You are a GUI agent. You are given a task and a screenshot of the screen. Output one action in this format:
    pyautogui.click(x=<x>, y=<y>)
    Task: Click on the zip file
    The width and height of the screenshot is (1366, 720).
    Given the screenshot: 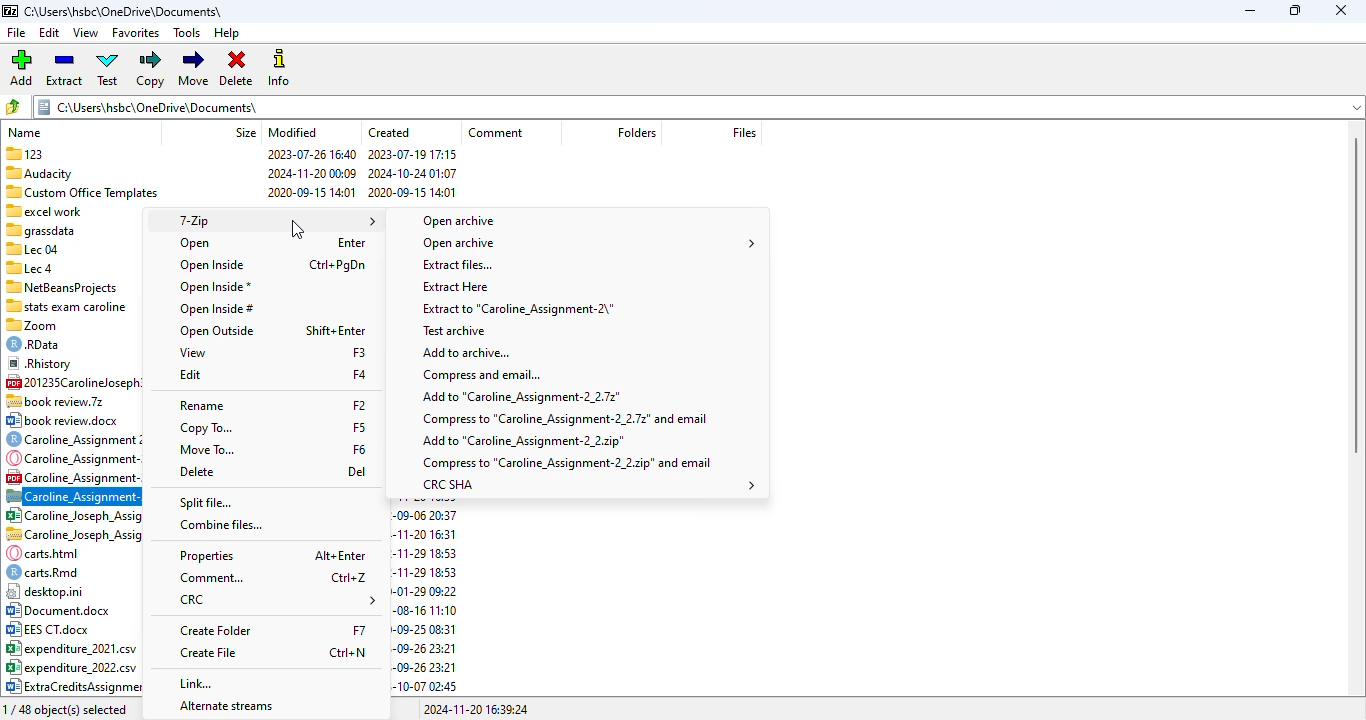 What is the action you would take?
    pyautogui.click(x=73, y=495)
    